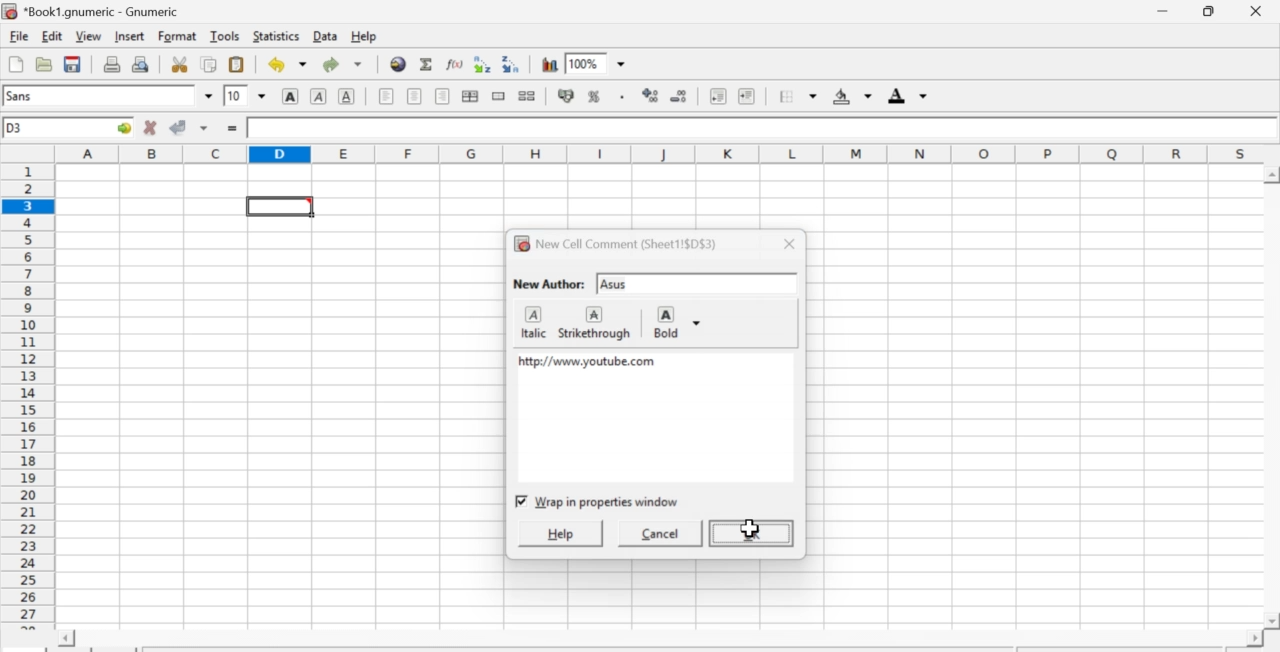 This screenshot has height=652, width=1280. I want to click on ok, so click(754, 534).